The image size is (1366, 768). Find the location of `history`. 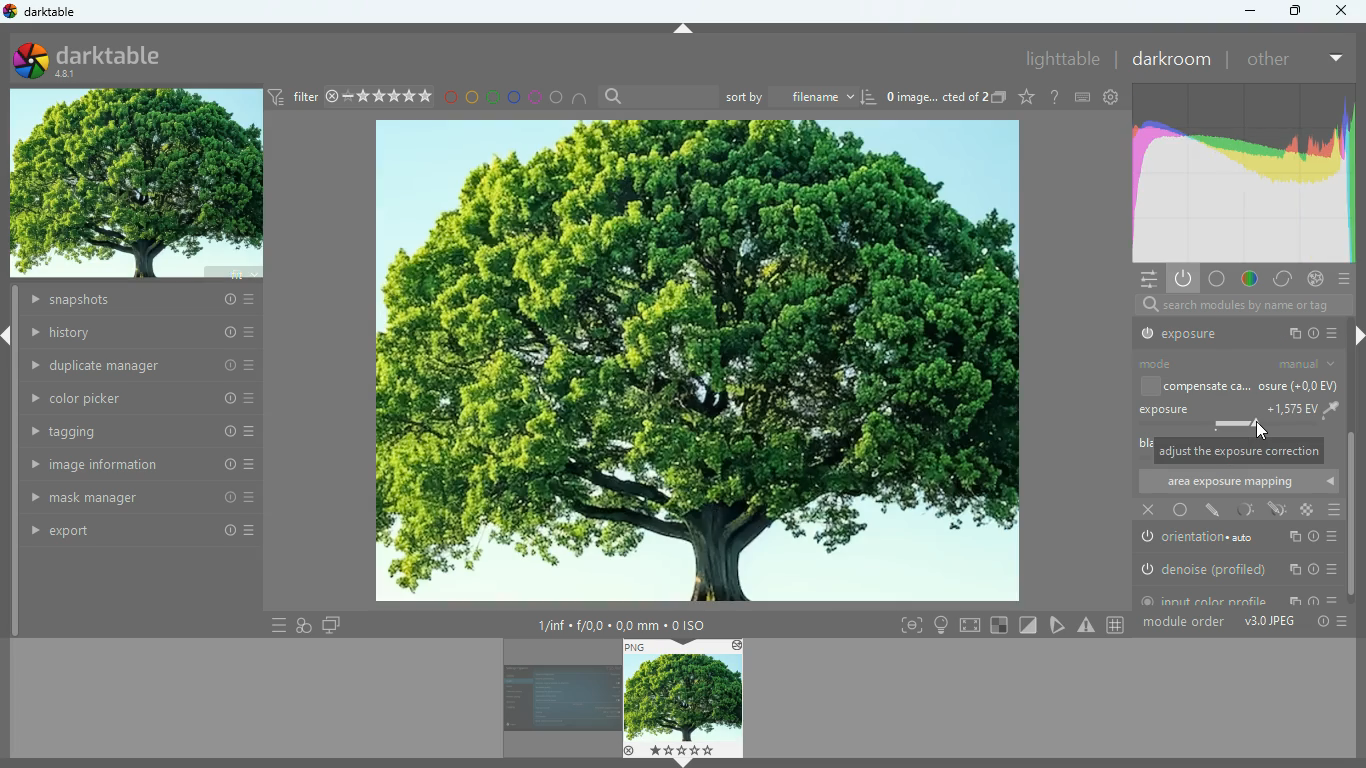

history is located at coordinates (143, 334).